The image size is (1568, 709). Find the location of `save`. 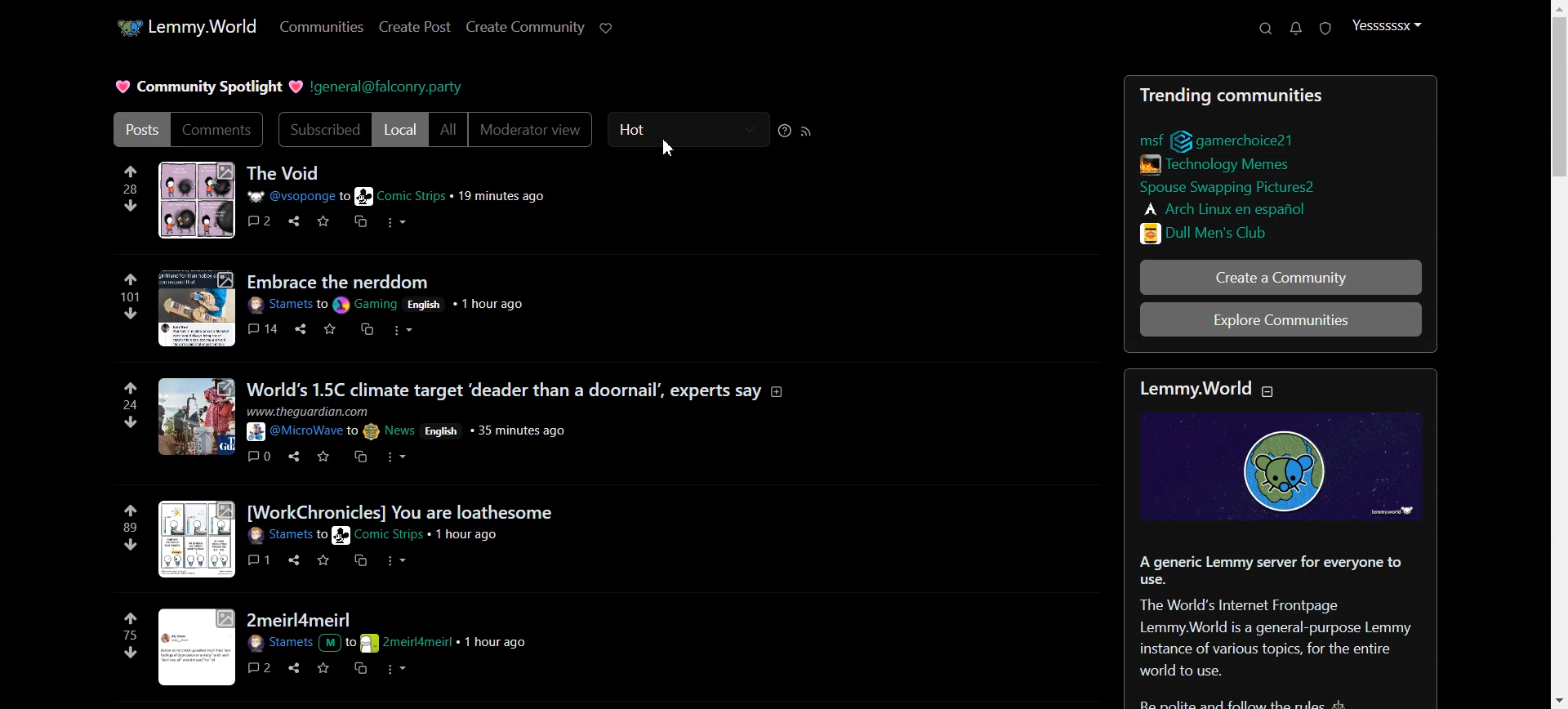

save is located at coordinates (325, 560).